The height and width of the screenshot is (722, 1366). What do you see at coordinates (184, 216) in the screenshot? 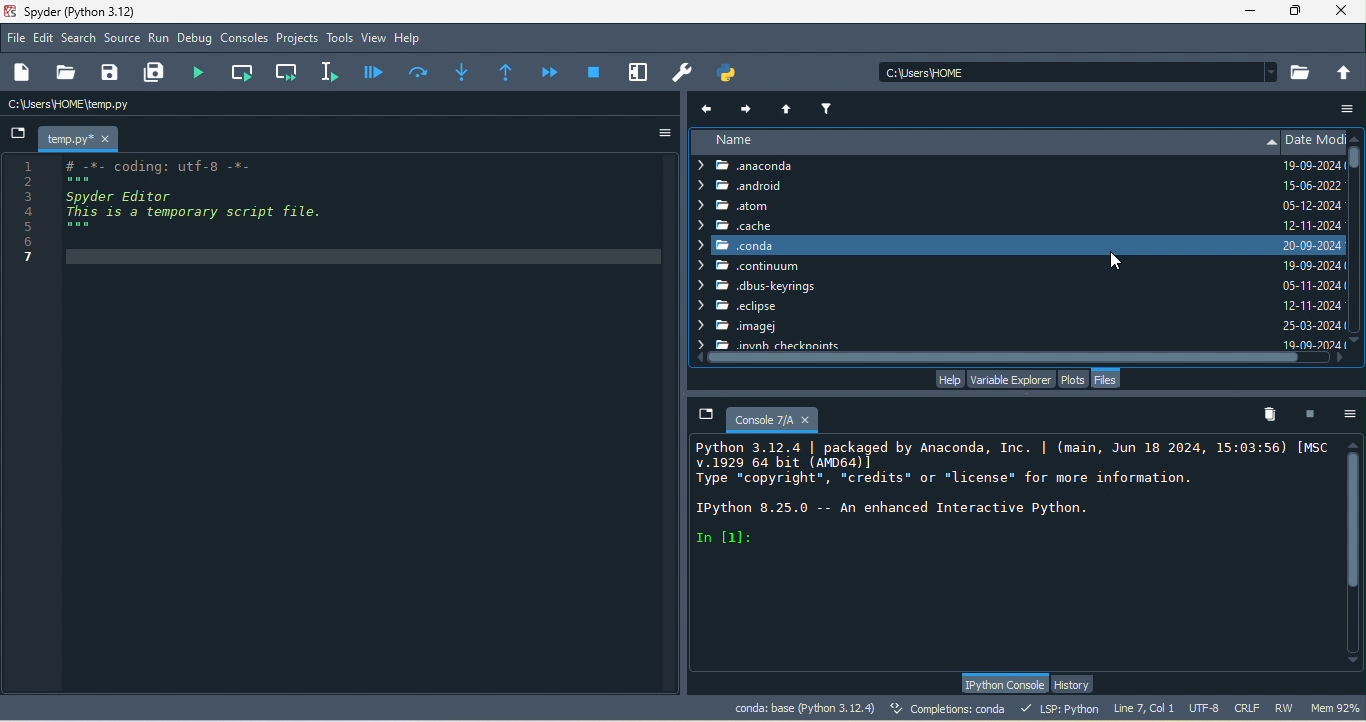
I see `coding` at bounding box center [184, 216].